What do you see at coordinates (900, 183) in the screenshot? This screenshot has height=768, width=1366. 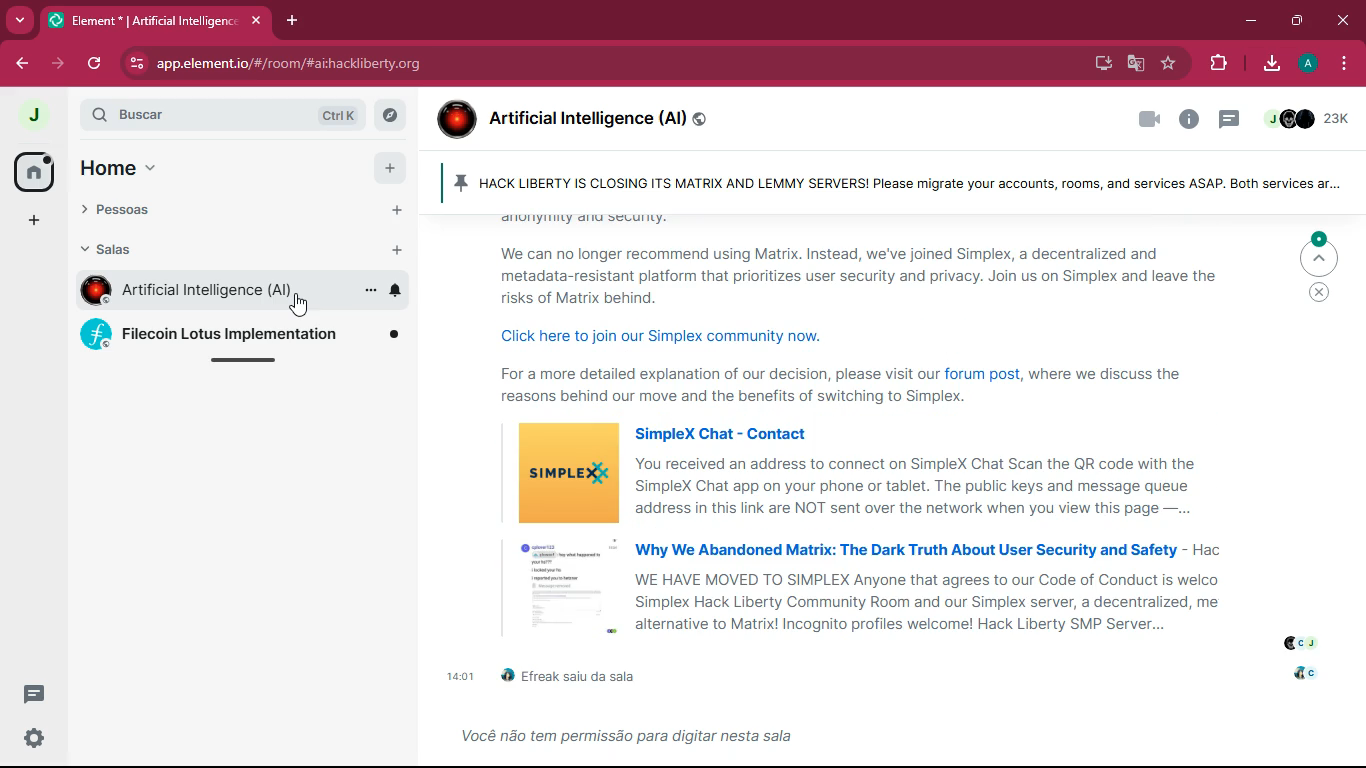 I see `HACK LIBERTY IS CLOSING ITS MATRIX AND LEMMY SERVERS! Please migrate your accounts, rooms, and services ASAP. Both services ar...` at bounding box center [900, 183].